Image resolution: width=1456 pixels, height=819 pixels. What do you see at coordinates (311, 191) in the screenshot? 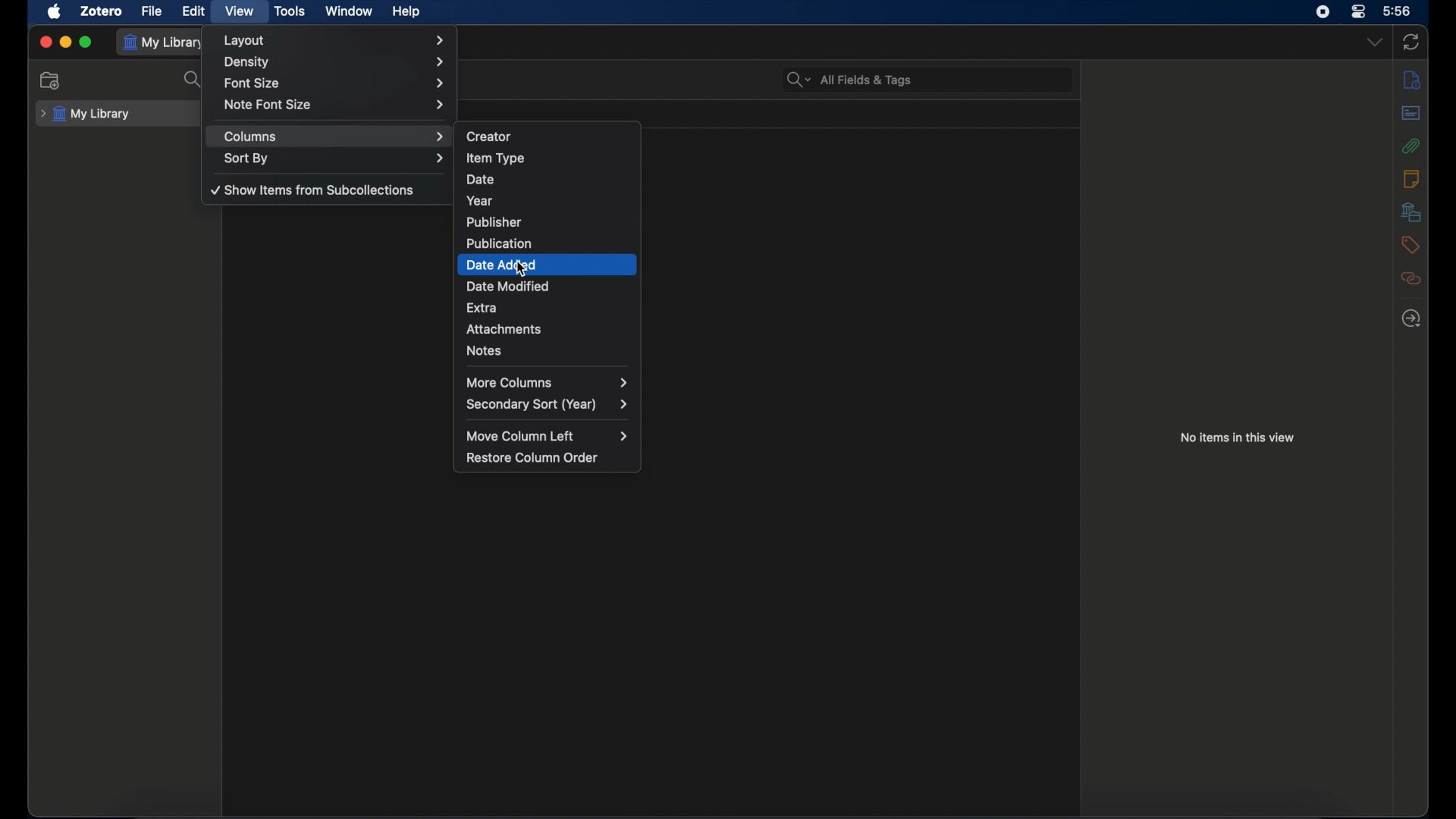
I see `show items from sub collections` at bounding box center [311, 191].